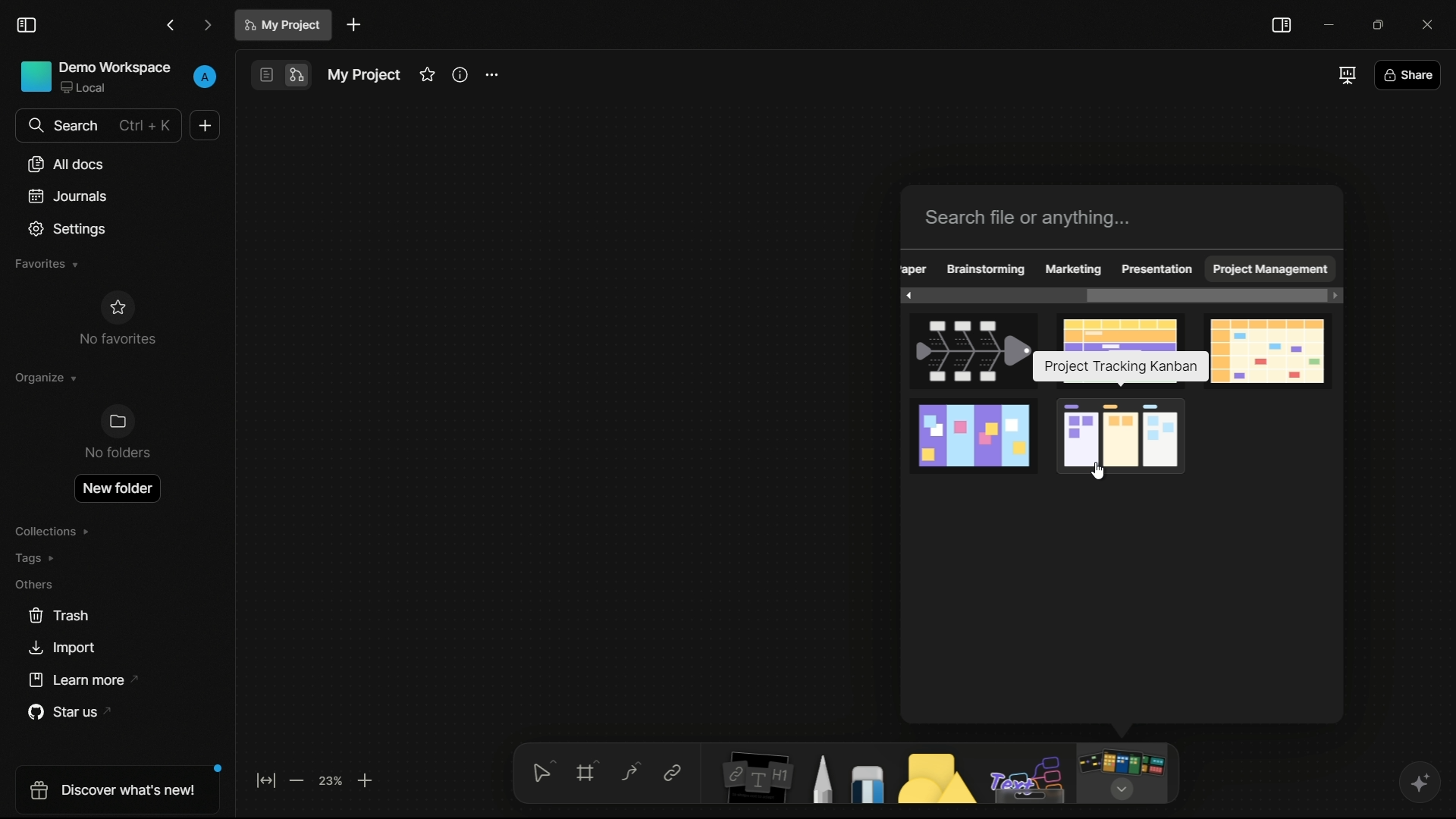  I want to click on select, so click(541, 770).